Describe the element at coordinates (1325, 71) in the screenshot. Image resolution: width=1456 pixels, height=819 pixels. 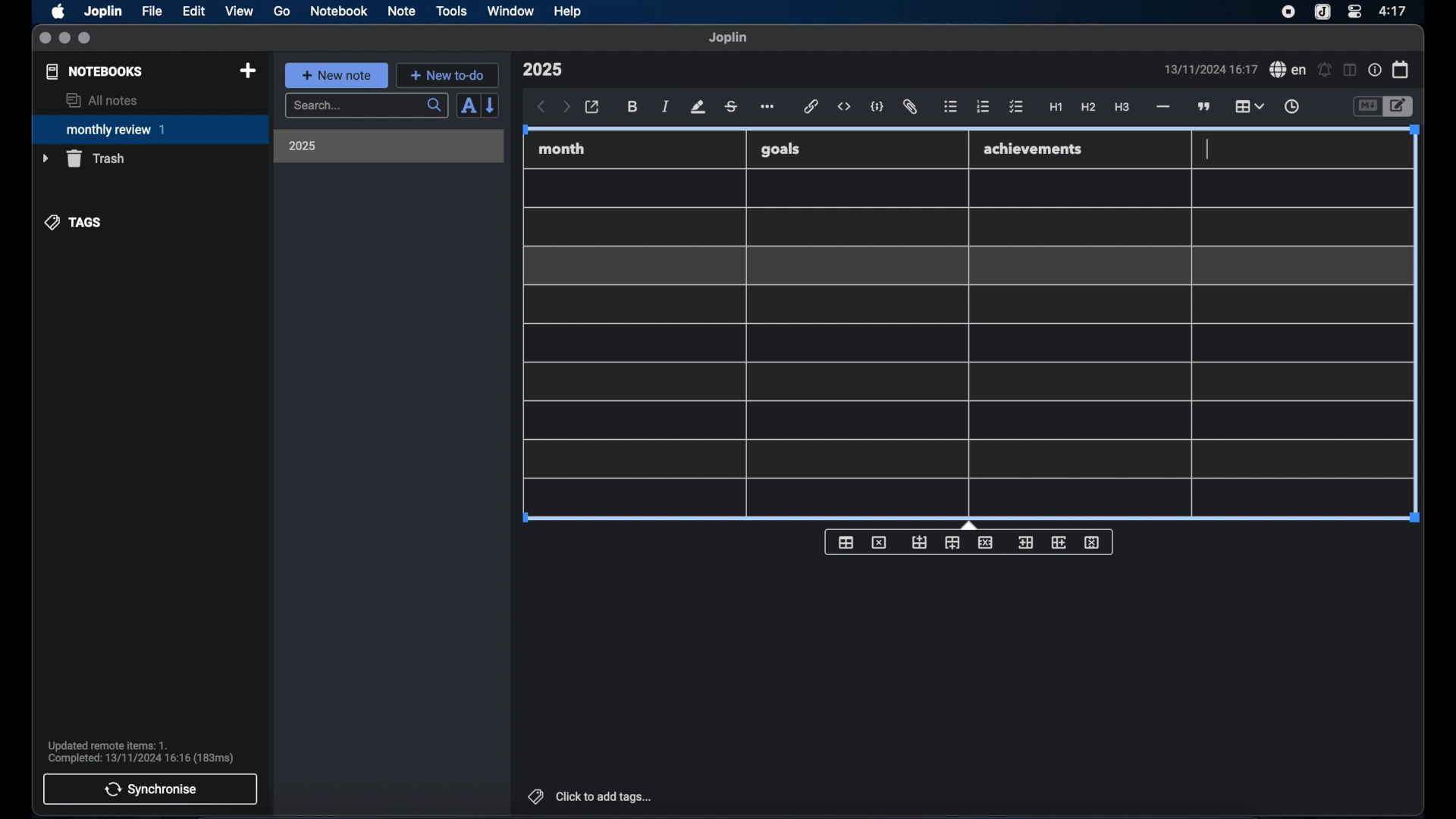
I see `set alarm` at that location.